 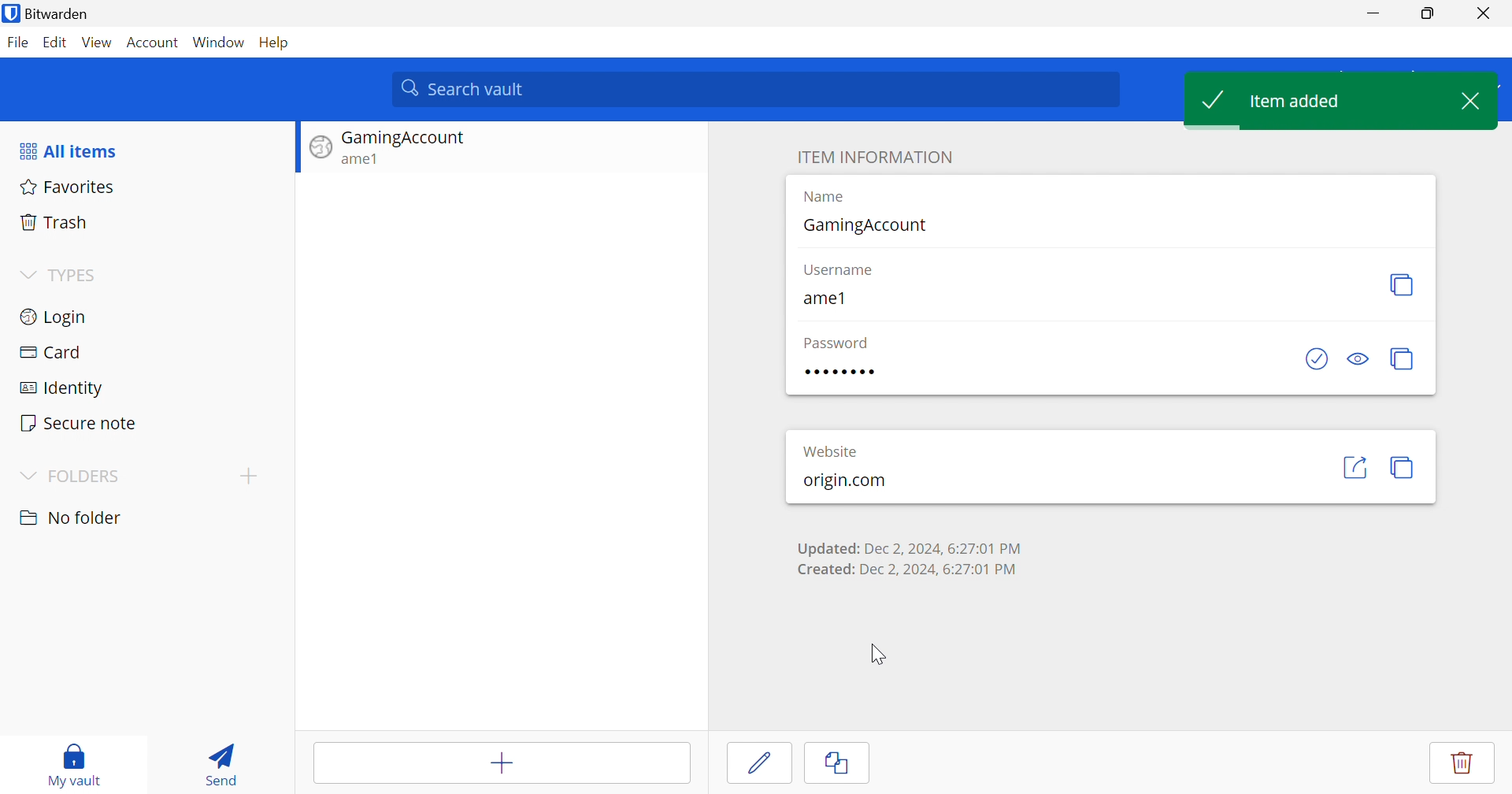 What do you see at coordinates (46, 13) in the screenshot?
I see `Bitwarden` at bounding box center [46, 13].